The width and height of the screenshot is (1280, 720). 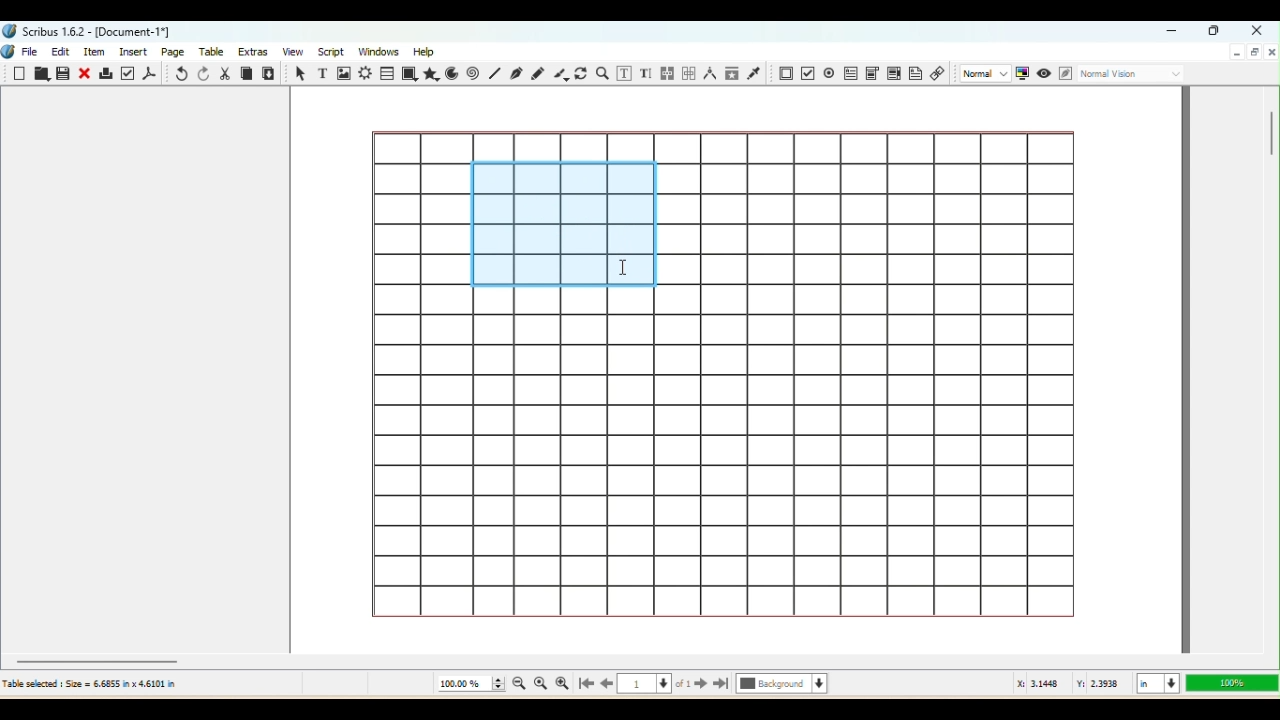 What do you see at coordinates (722, 685) in the screenshot?
I see `Go to the last page` at bounding box center [722, 685].